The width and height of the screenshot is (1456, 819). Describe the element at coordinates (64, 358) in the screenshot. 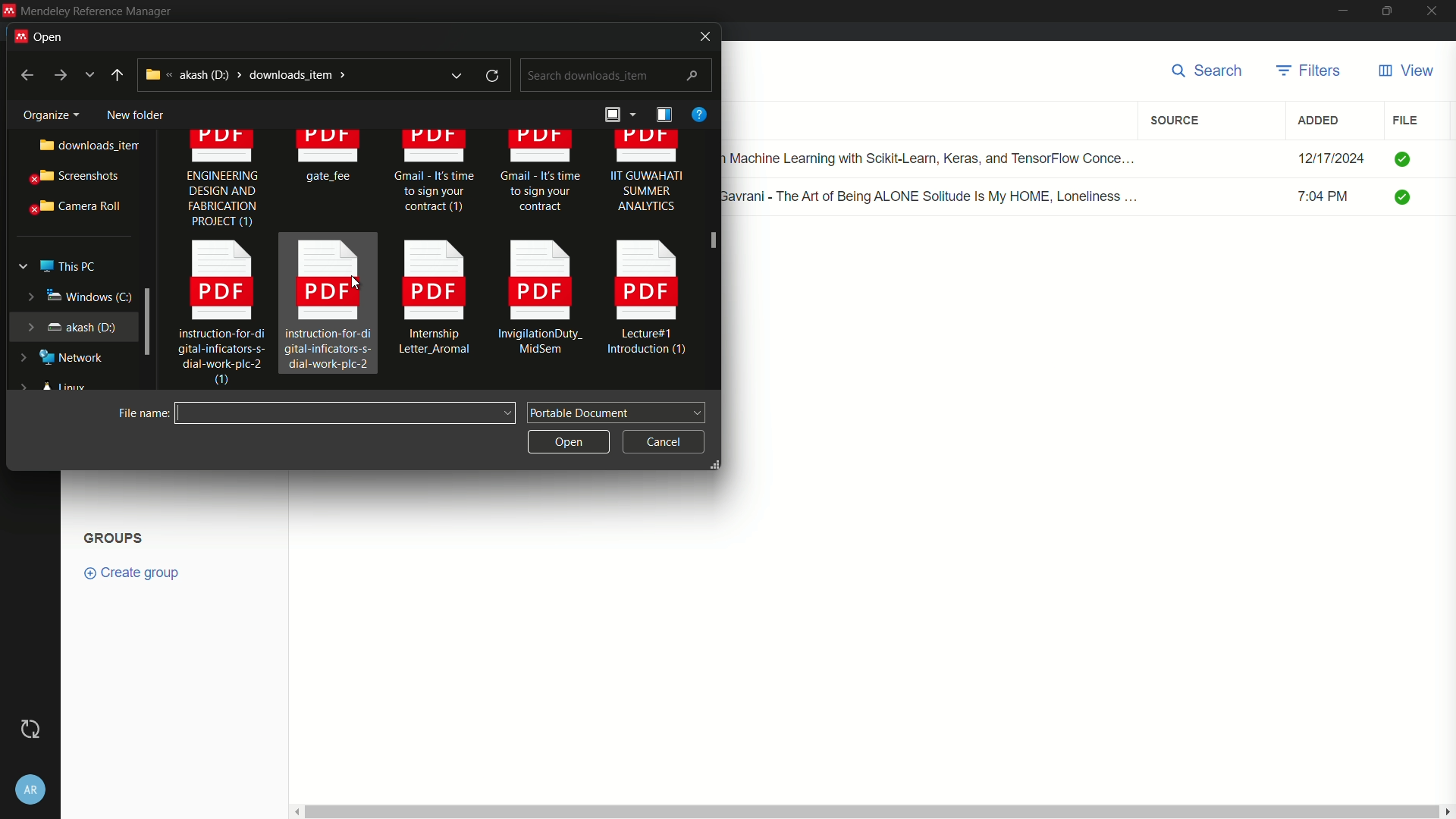

I see `network` at that location.